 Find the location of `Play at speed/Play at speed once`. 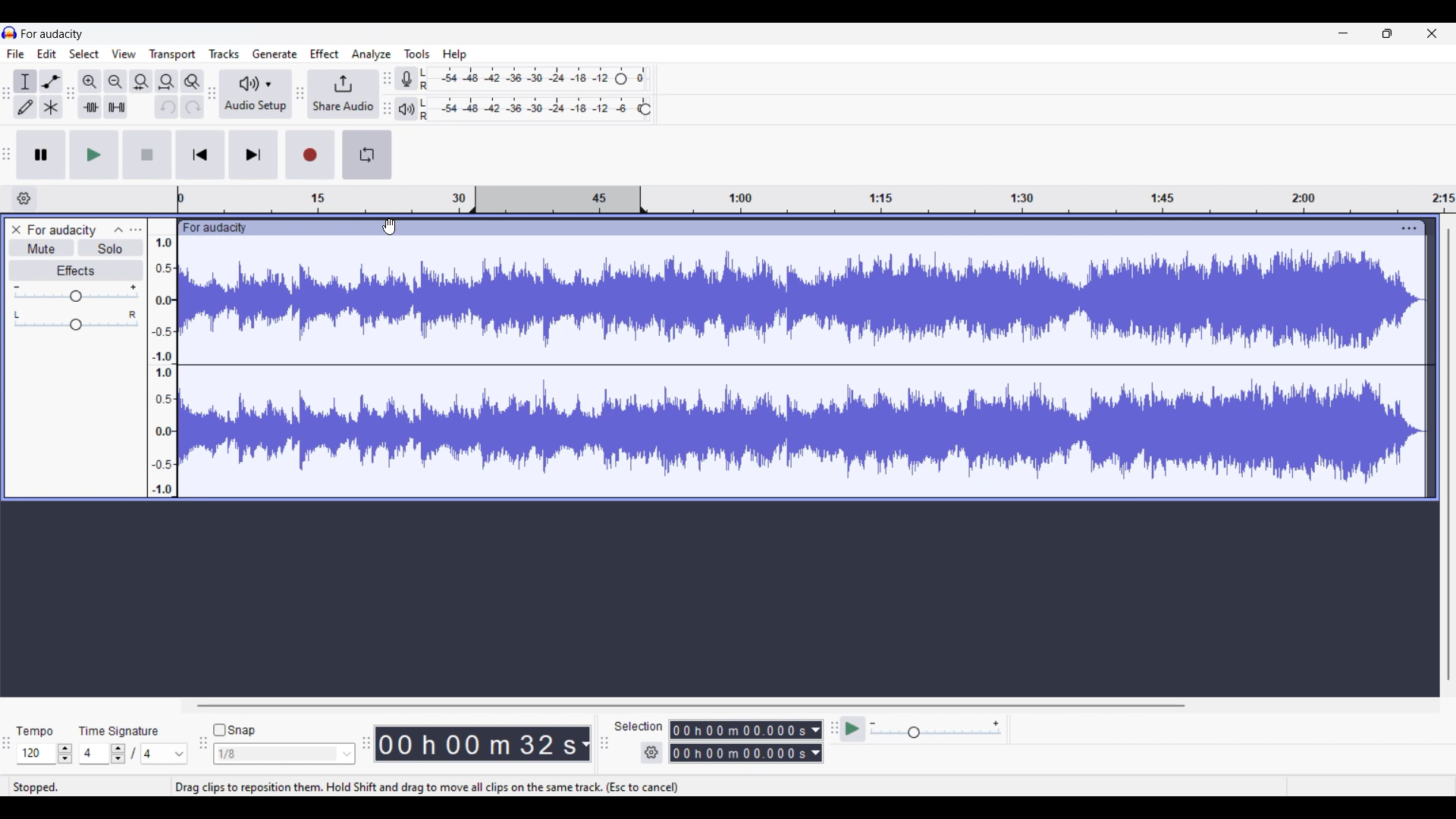

Play at speed/Play at speed once is located at coordinates (852, 729).